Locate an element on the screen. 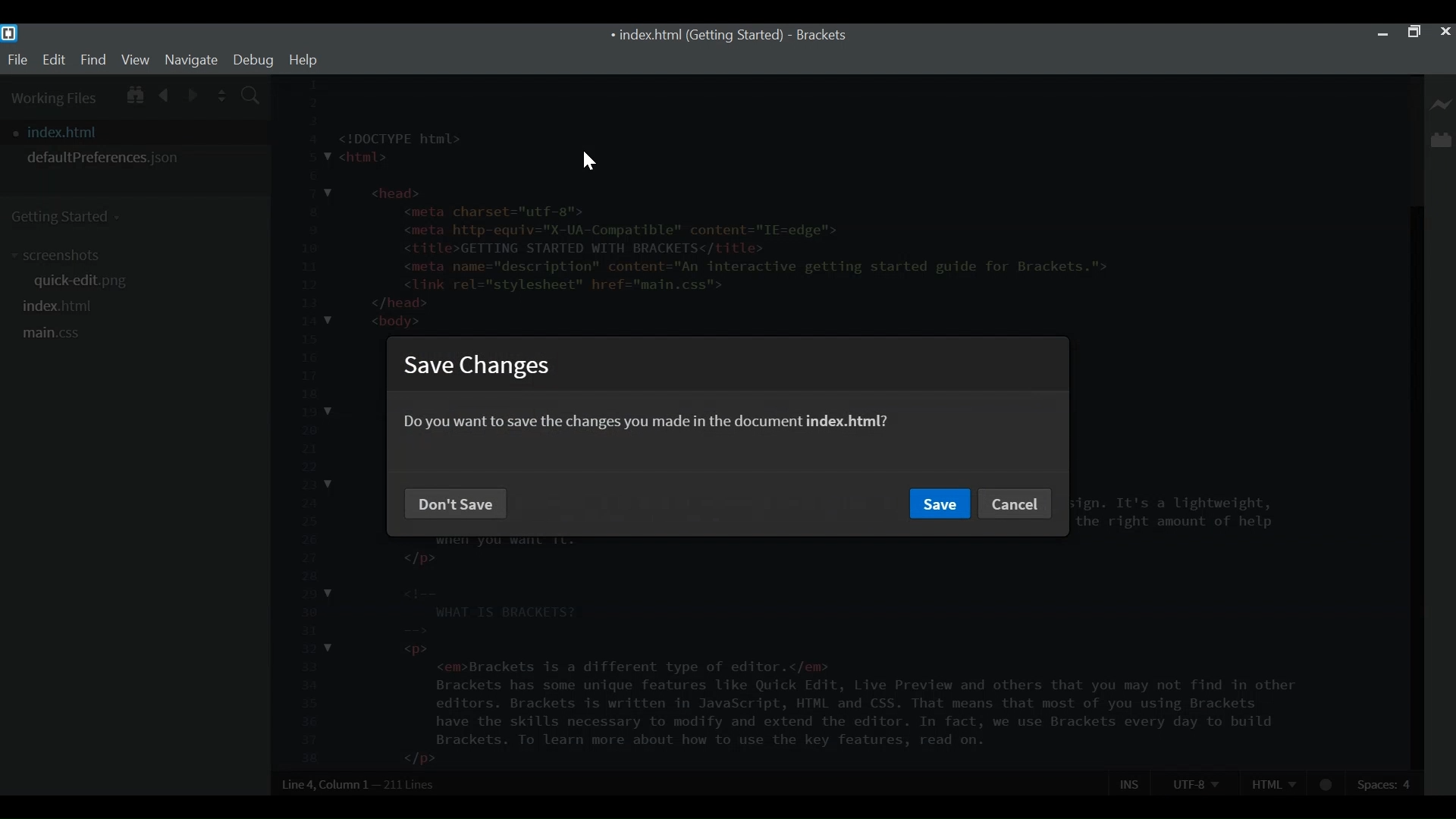  Debug is located at coordinates (253, 60).